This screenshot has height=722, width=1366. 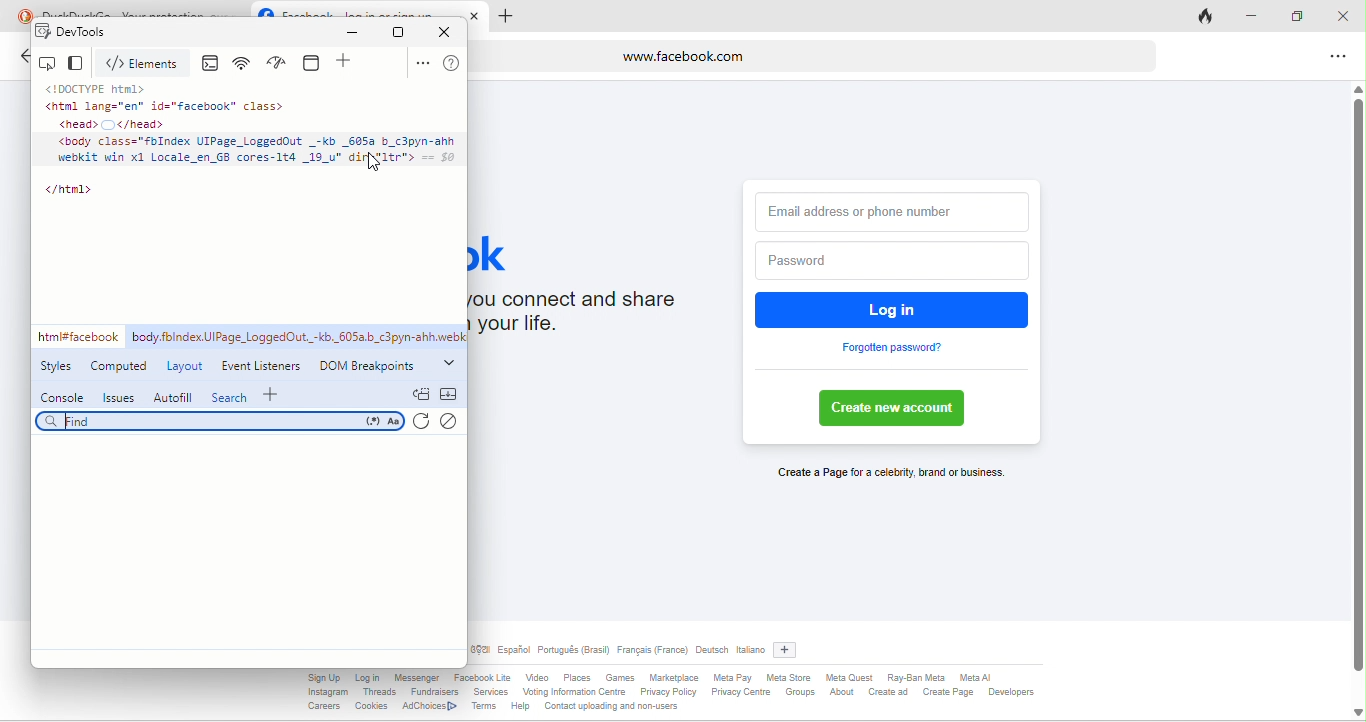 I want to click on create new account, so click(x=898, y=409).